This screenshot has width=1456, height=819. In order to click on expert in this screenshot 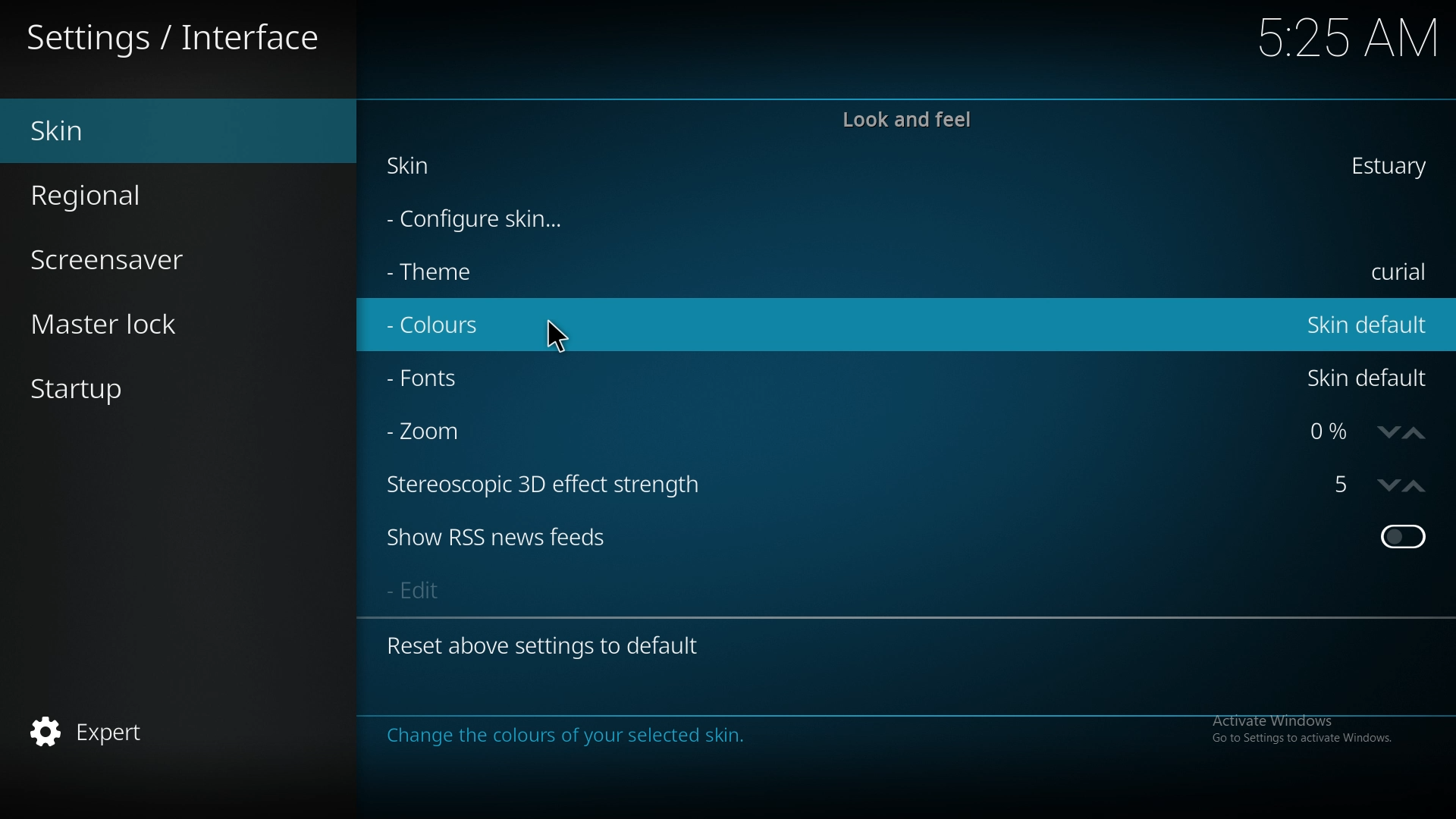, I will do `click(121, 733)`.